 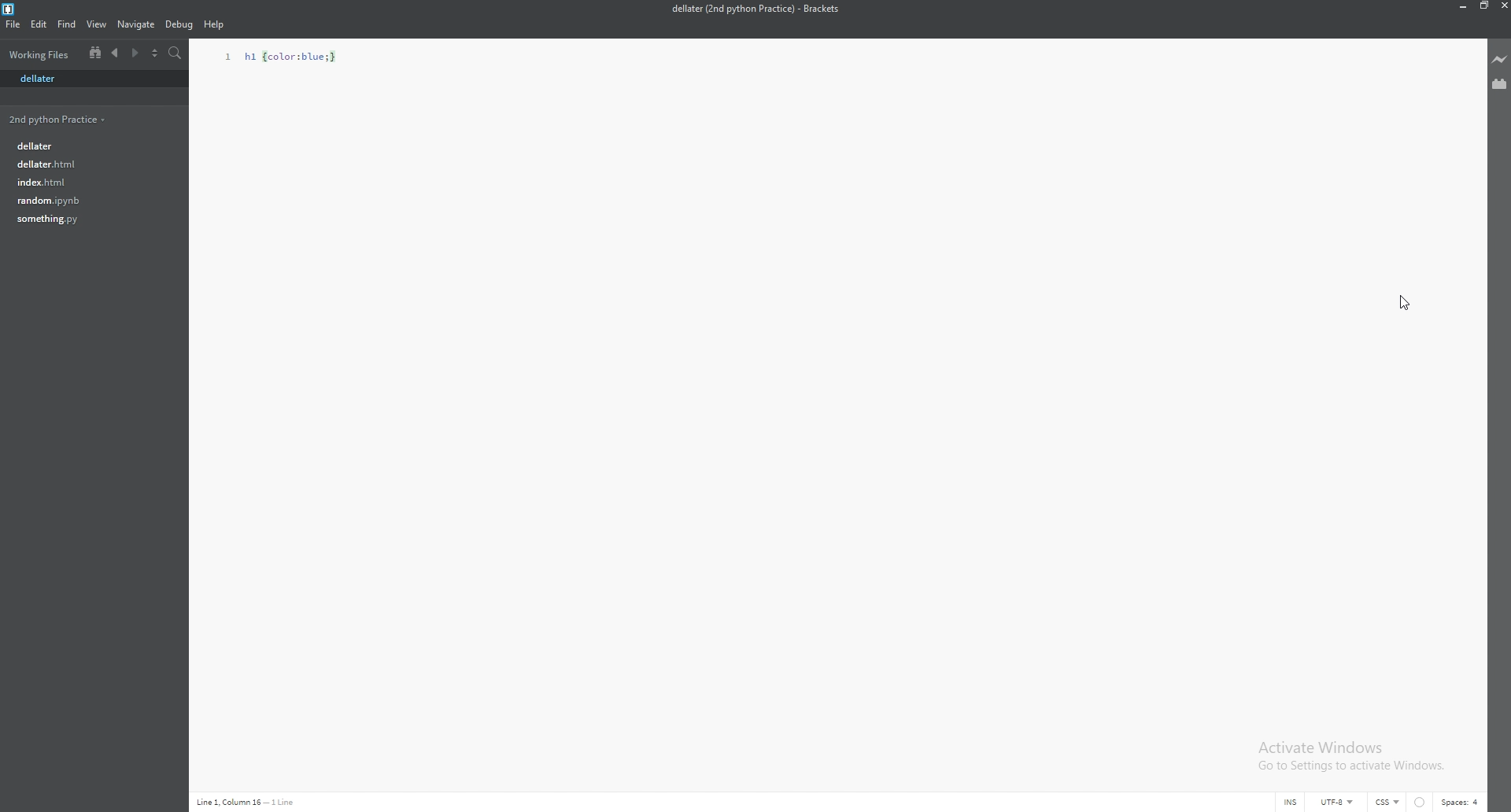 I want to click on file, so click(x=86, y=181).